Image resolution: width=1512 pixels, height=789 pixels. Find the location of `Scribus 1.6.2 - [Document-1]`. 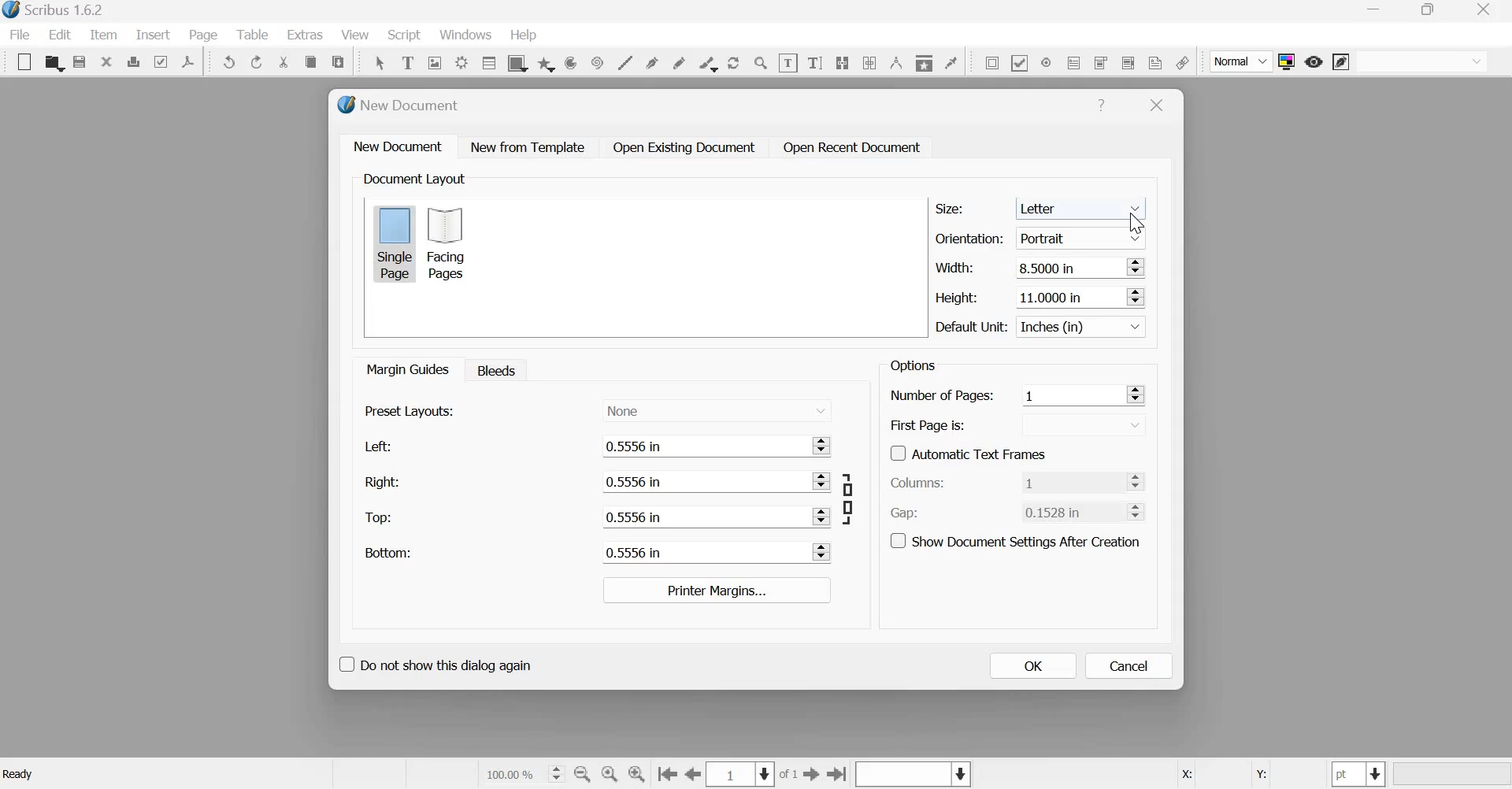

Scribus 1.6.2 - [Document-1] is located at coordinates (57, 11).